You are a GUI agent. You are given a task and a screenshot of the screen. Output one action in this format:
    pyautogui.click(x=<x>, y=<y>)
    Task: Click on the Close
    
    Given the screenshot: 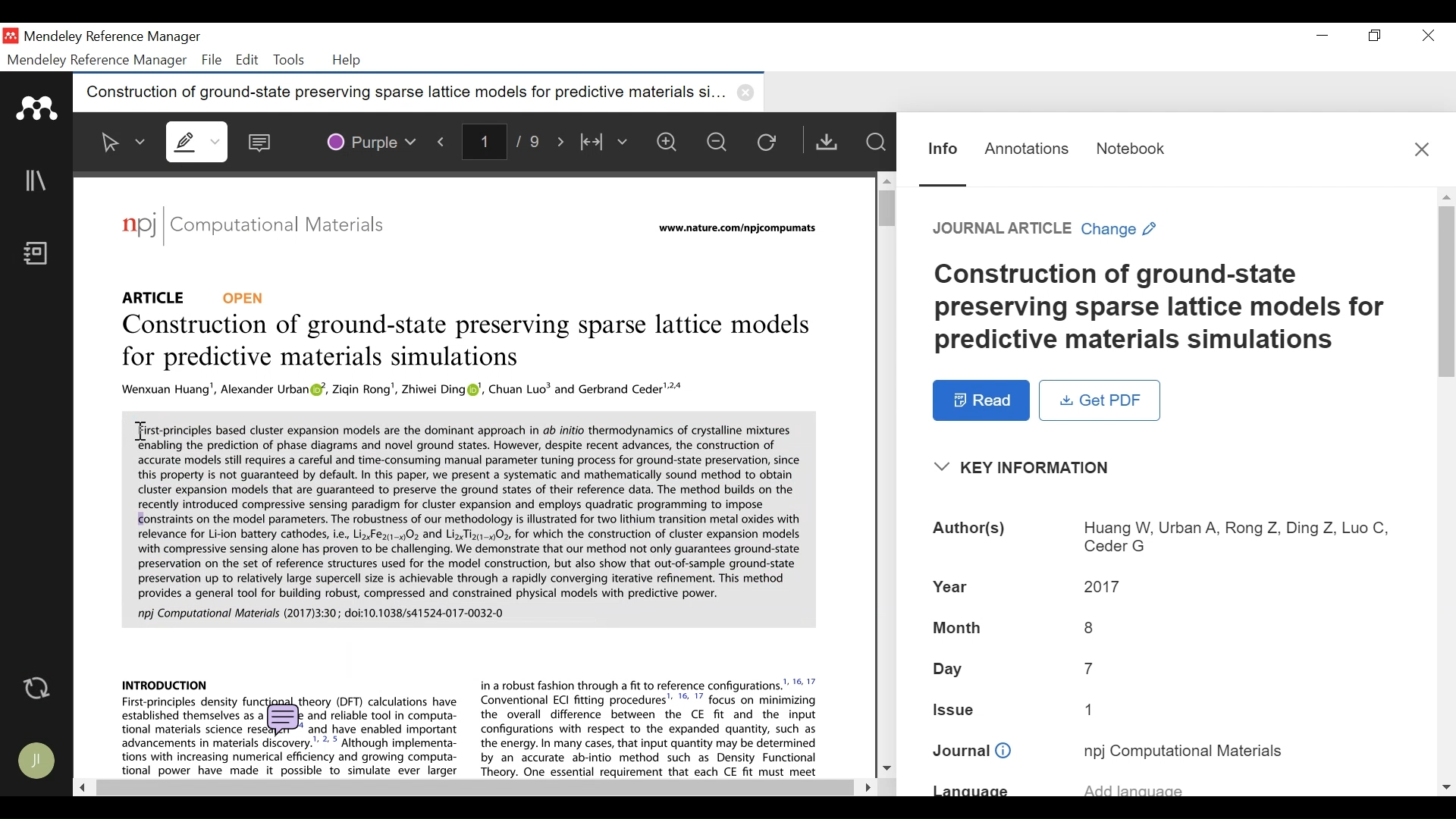 What is the action you would take?
    pyautogui.click(x=1422, y=149)
    